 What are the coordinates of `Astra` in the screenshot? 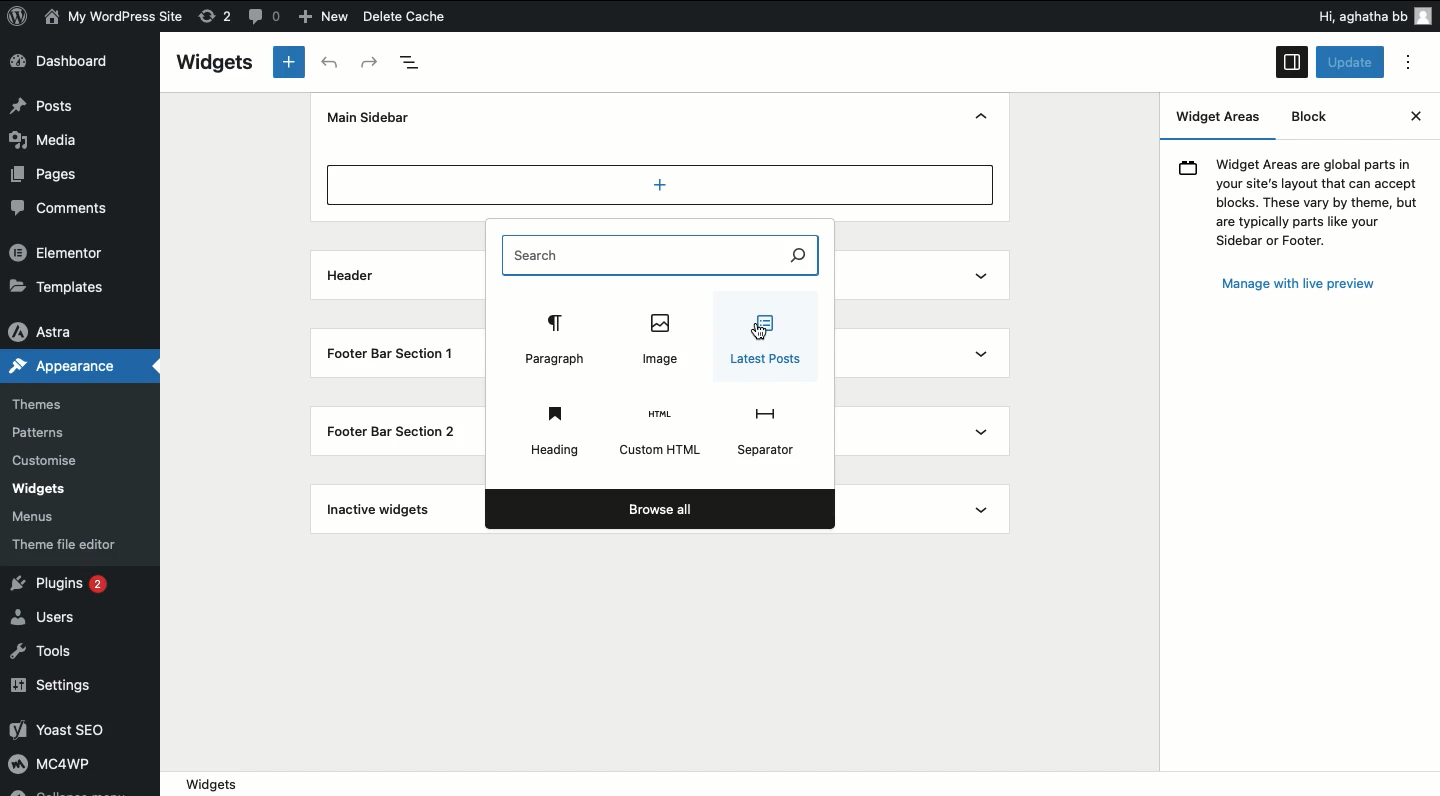 It's located at (51, 329).